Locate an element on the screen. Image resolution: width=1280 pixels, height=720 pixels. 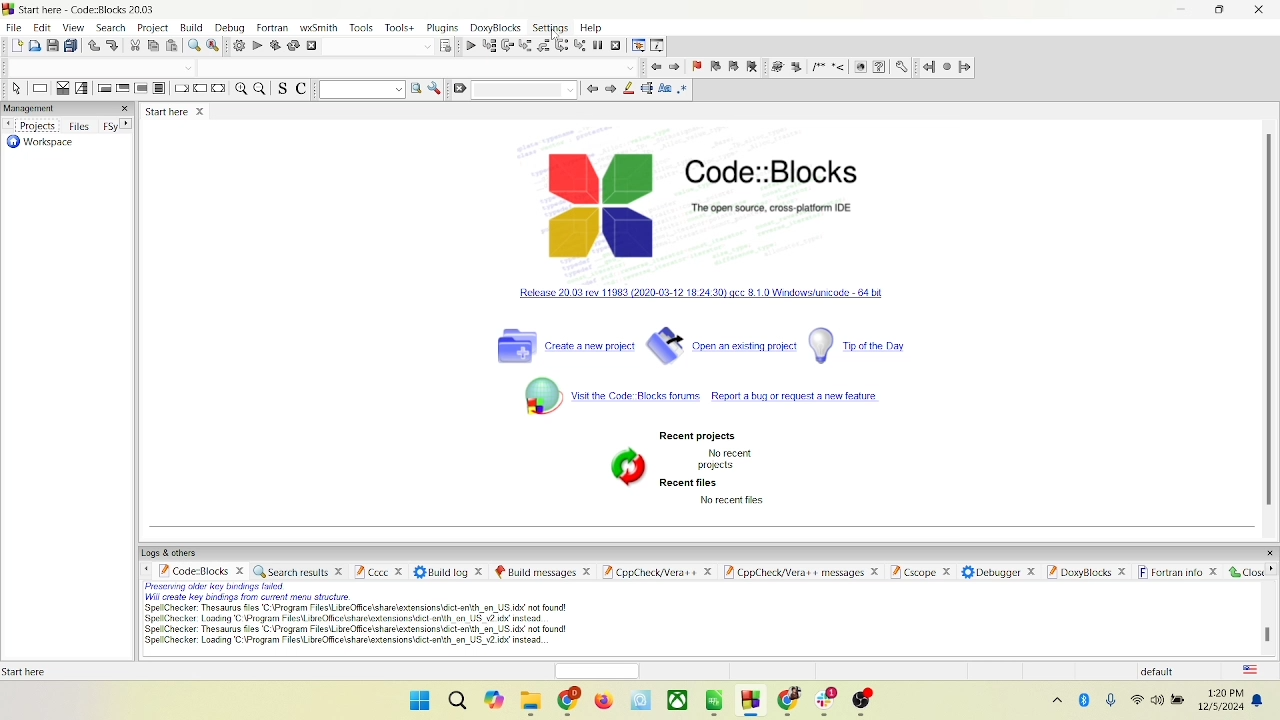
fortran info is located at coordinates (1176, 572).